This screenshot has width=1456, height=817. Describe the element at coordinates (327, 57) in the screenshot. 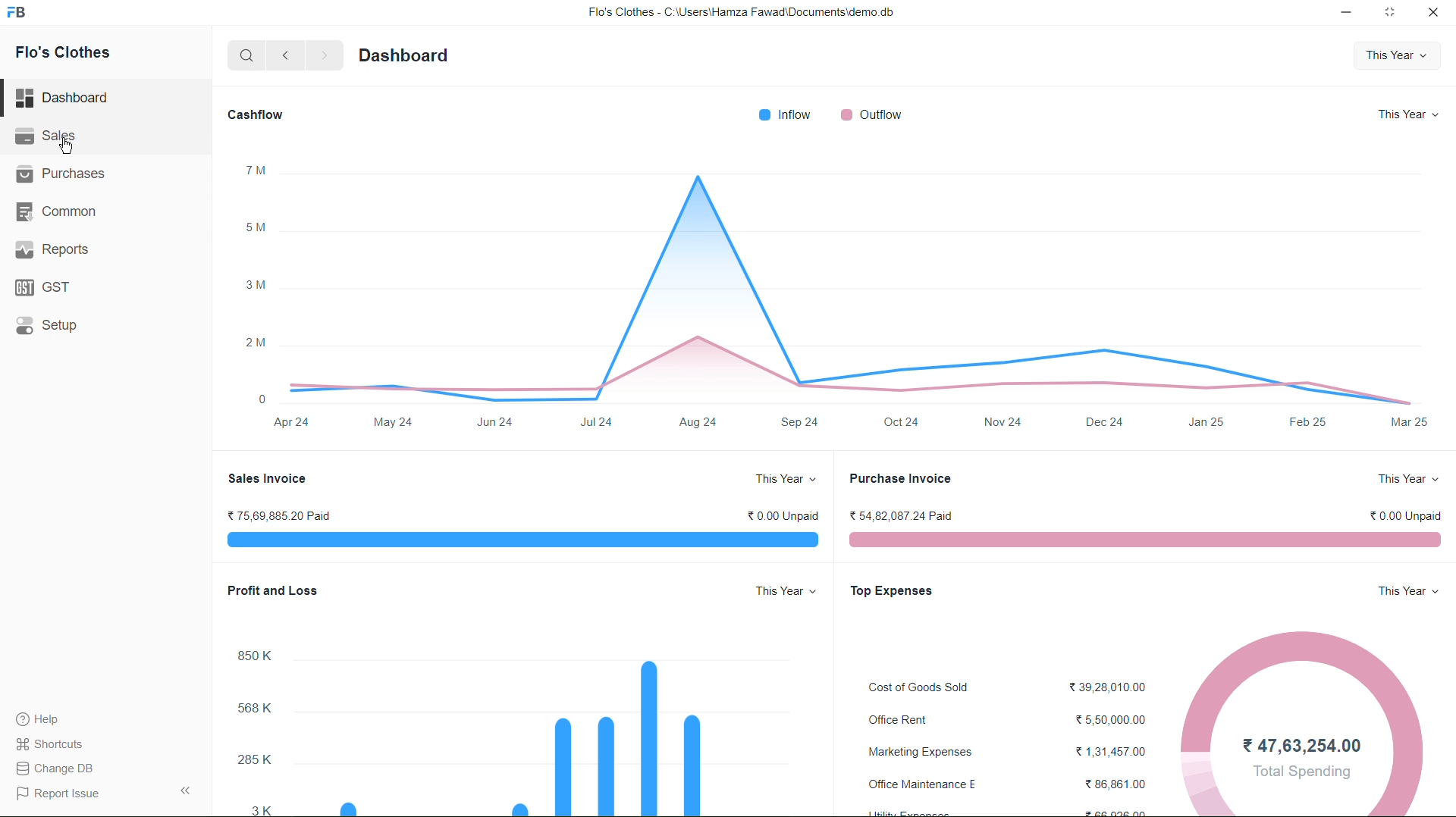

I see `next` at that location.